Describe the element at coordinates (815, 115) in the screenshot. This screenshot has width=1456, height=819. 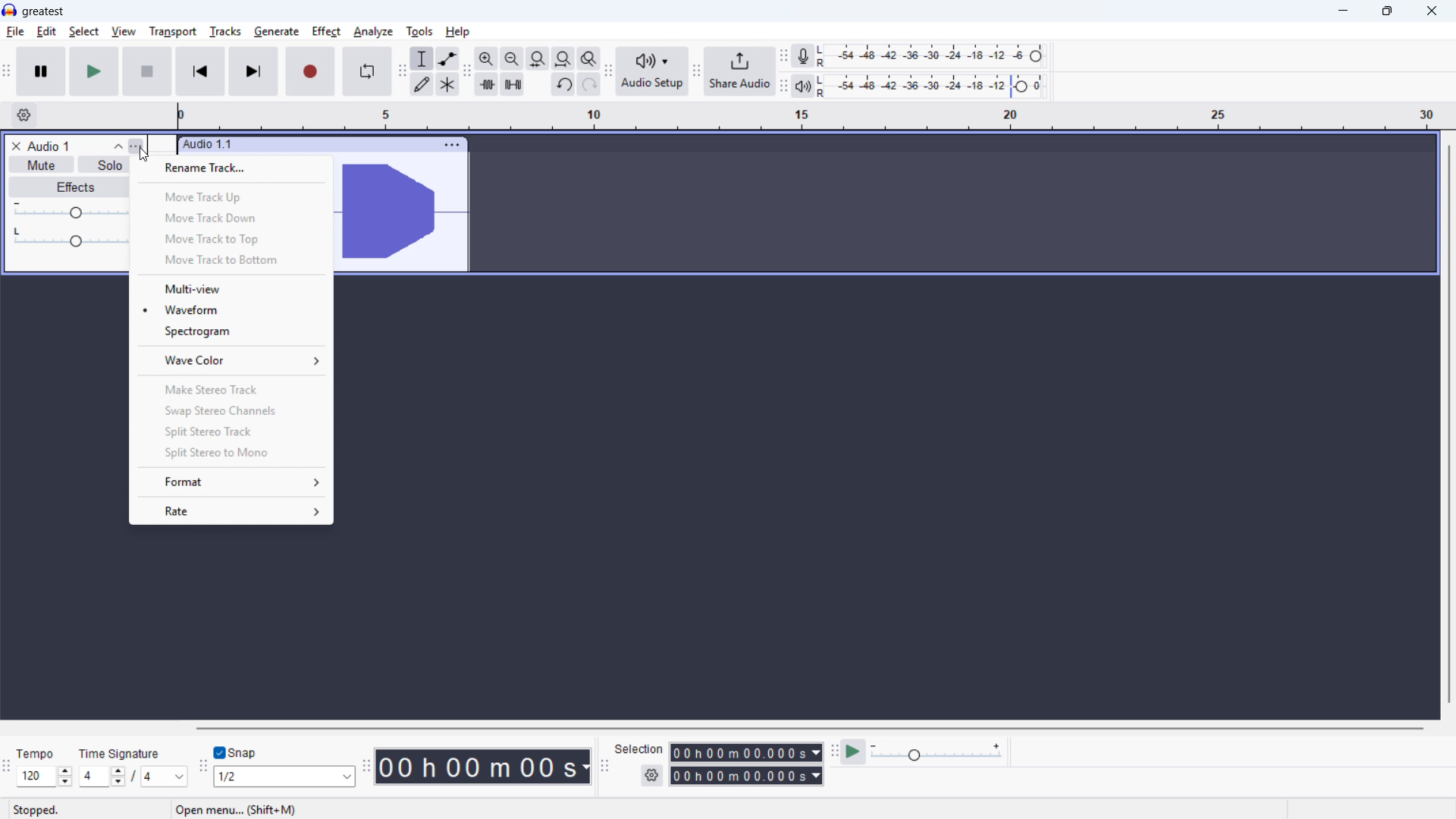
I see `timeline` at that location.